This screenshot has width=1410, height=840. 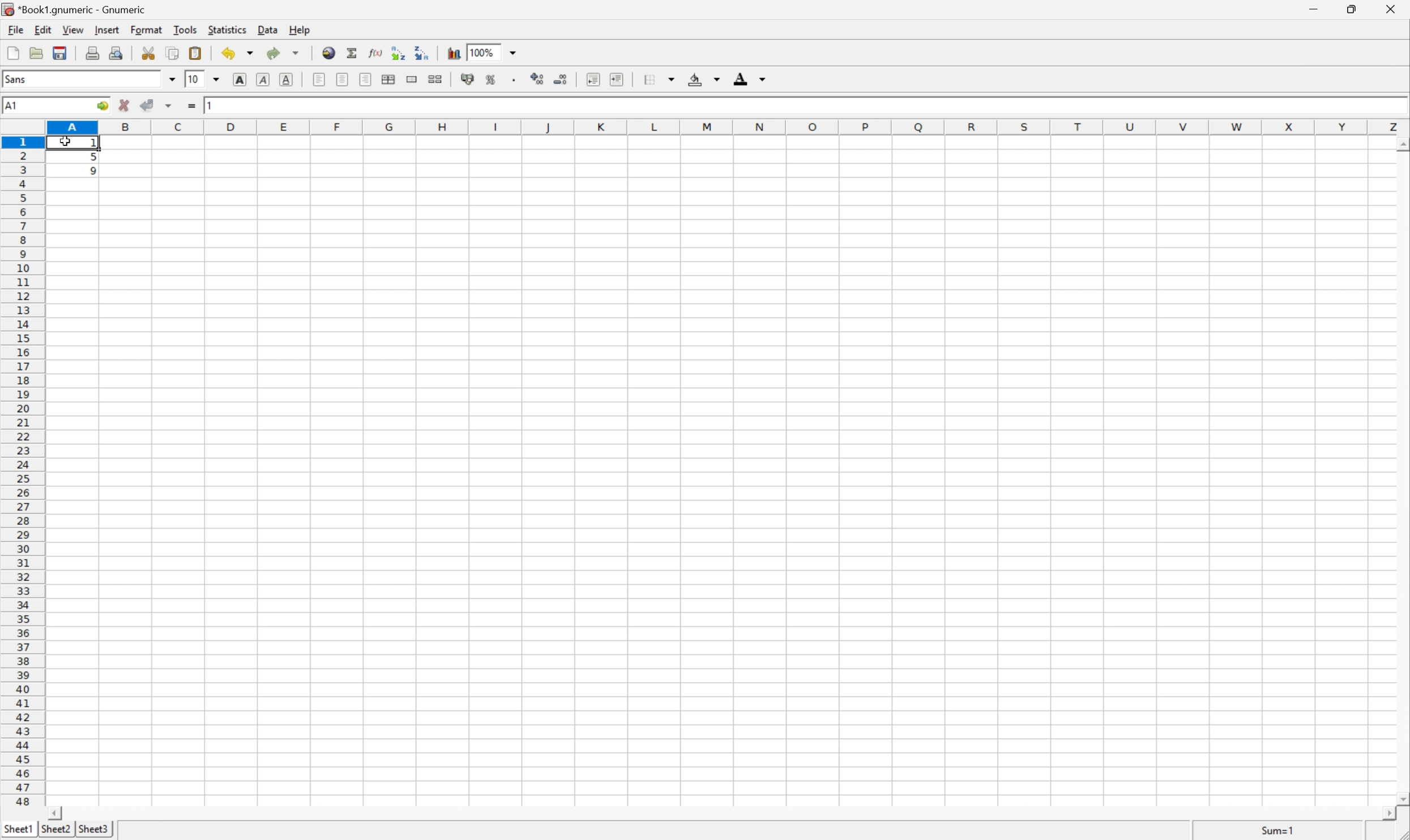 What do you see at coordinates (415, 79) in the screenshot?
I see `merge a range of cells` at bounding box center [415, 79].